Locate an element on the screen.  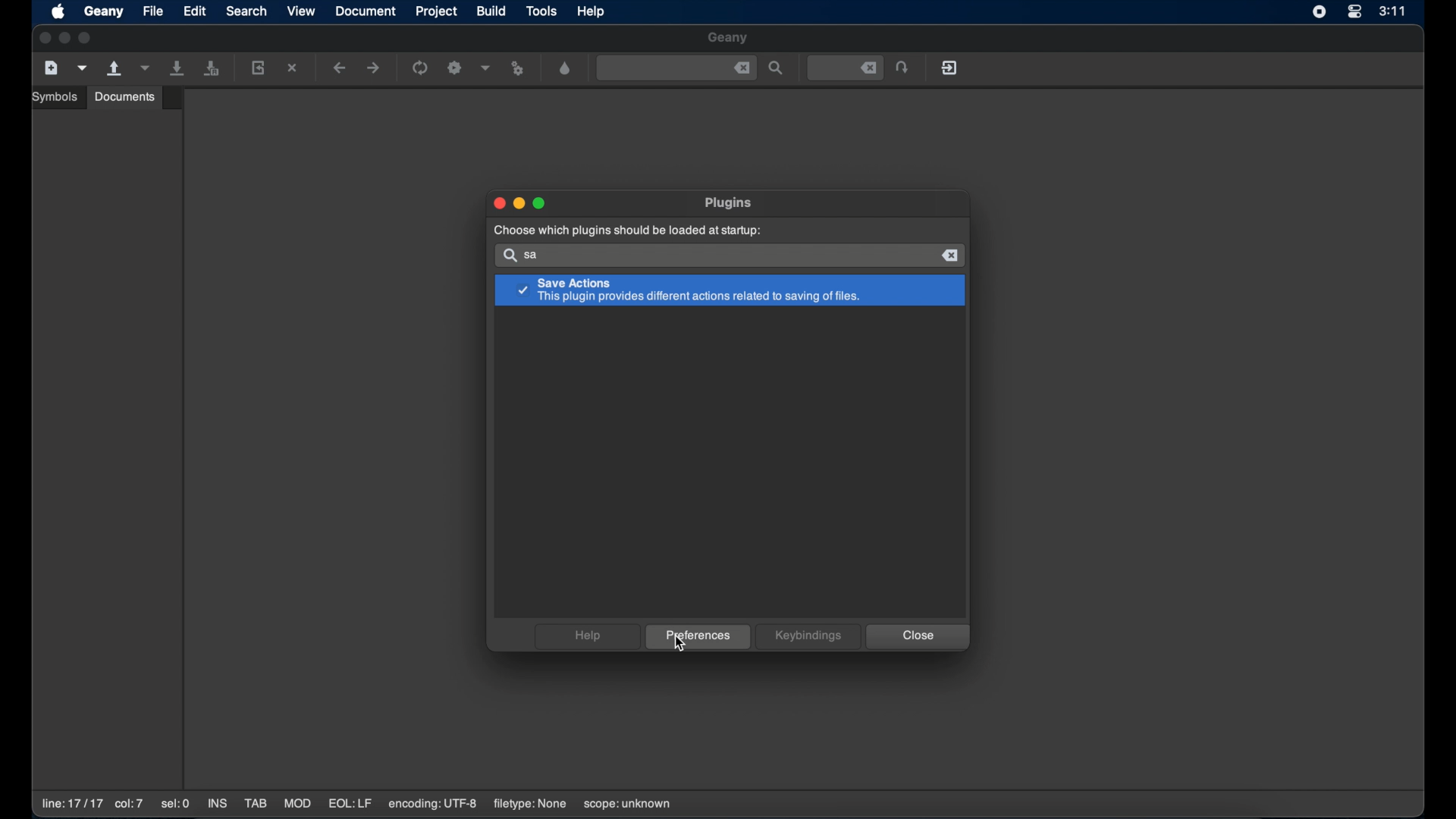
document is located at coordinates (366, 11).